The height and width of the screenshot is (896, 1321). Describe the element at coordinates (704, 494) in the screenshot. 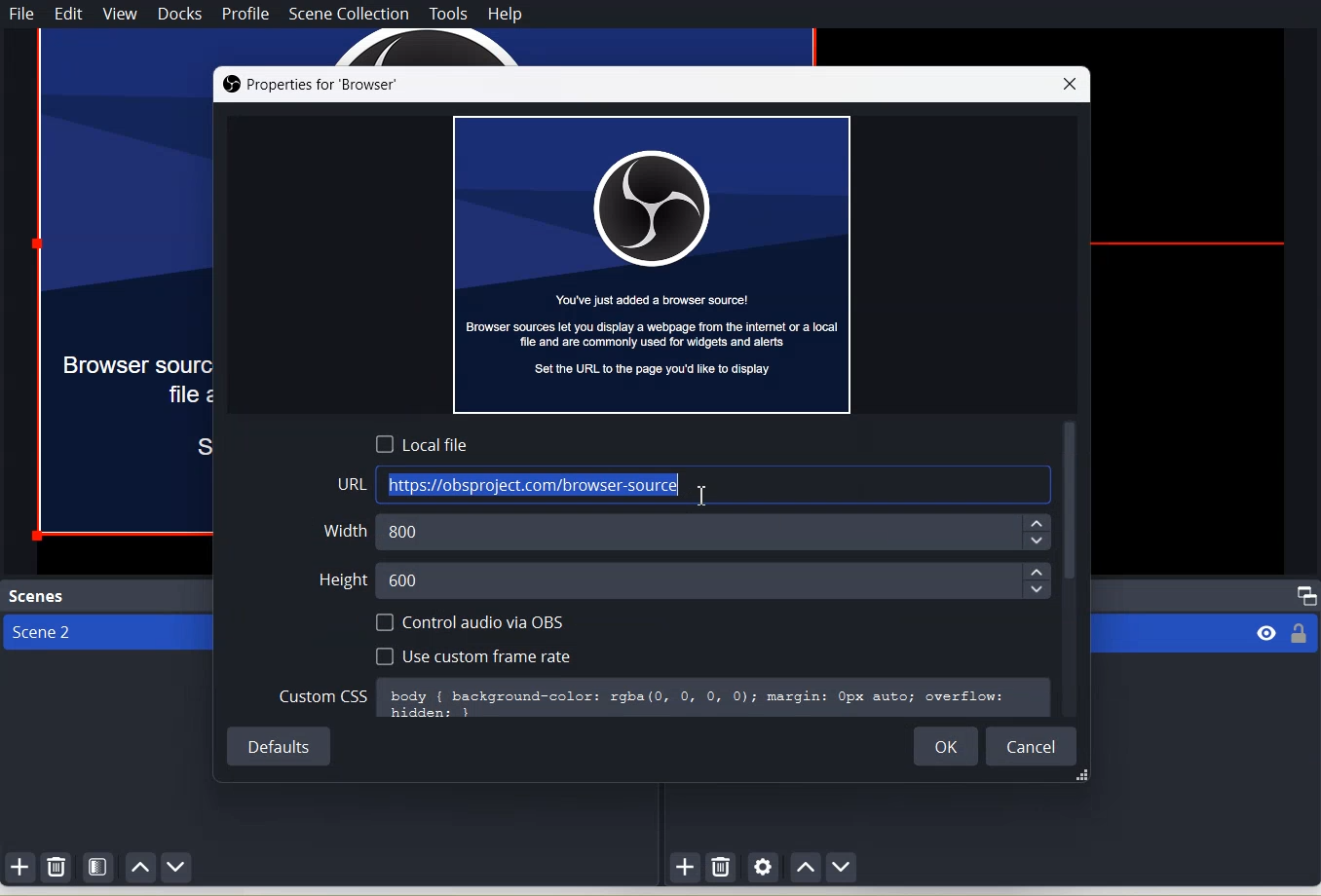

I see `Text Cursor` at that location.